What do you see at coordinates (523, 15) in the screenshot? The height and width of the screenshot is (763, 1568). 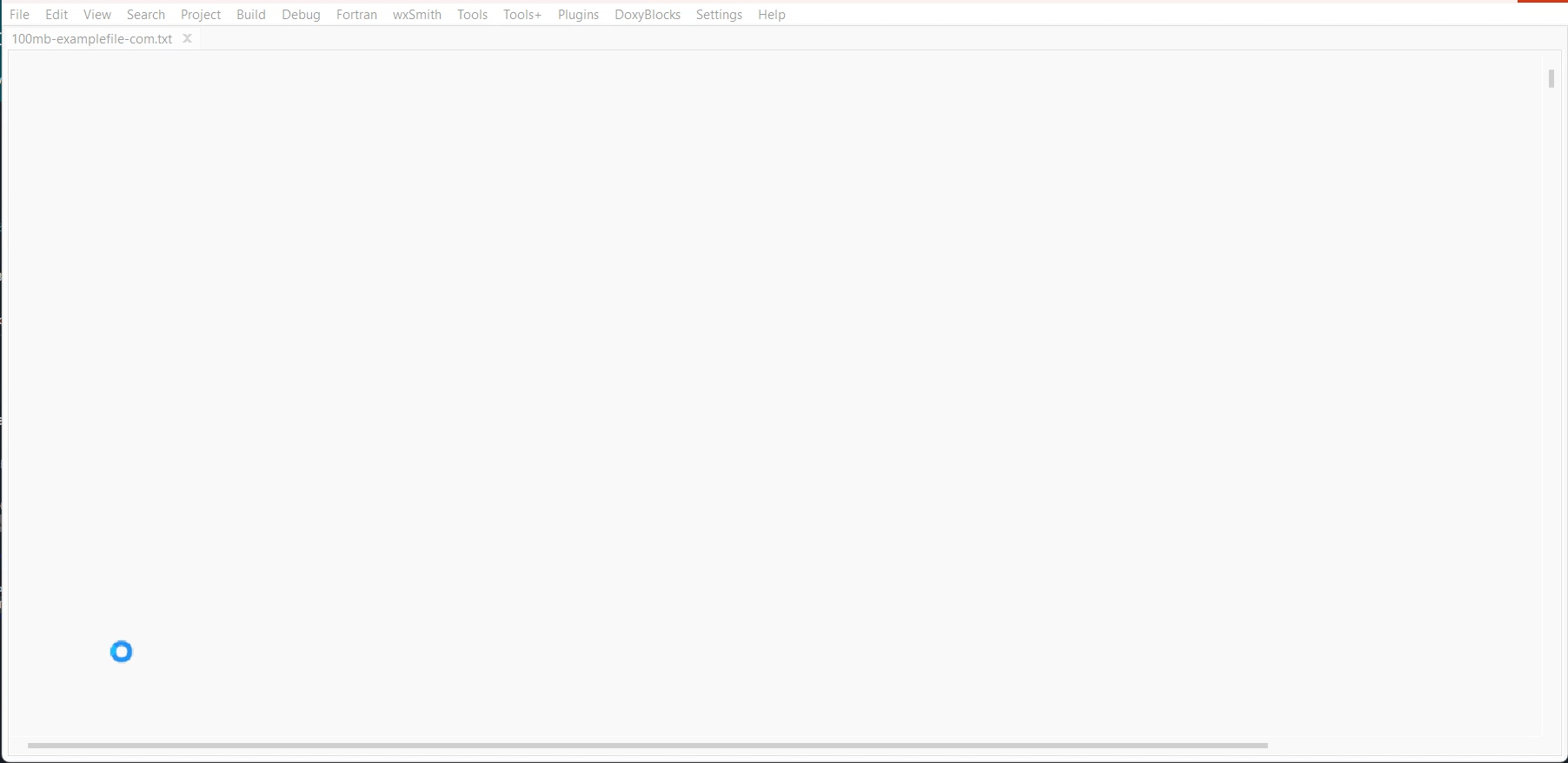 I see `Tools+` at bounding box center [523, 15].